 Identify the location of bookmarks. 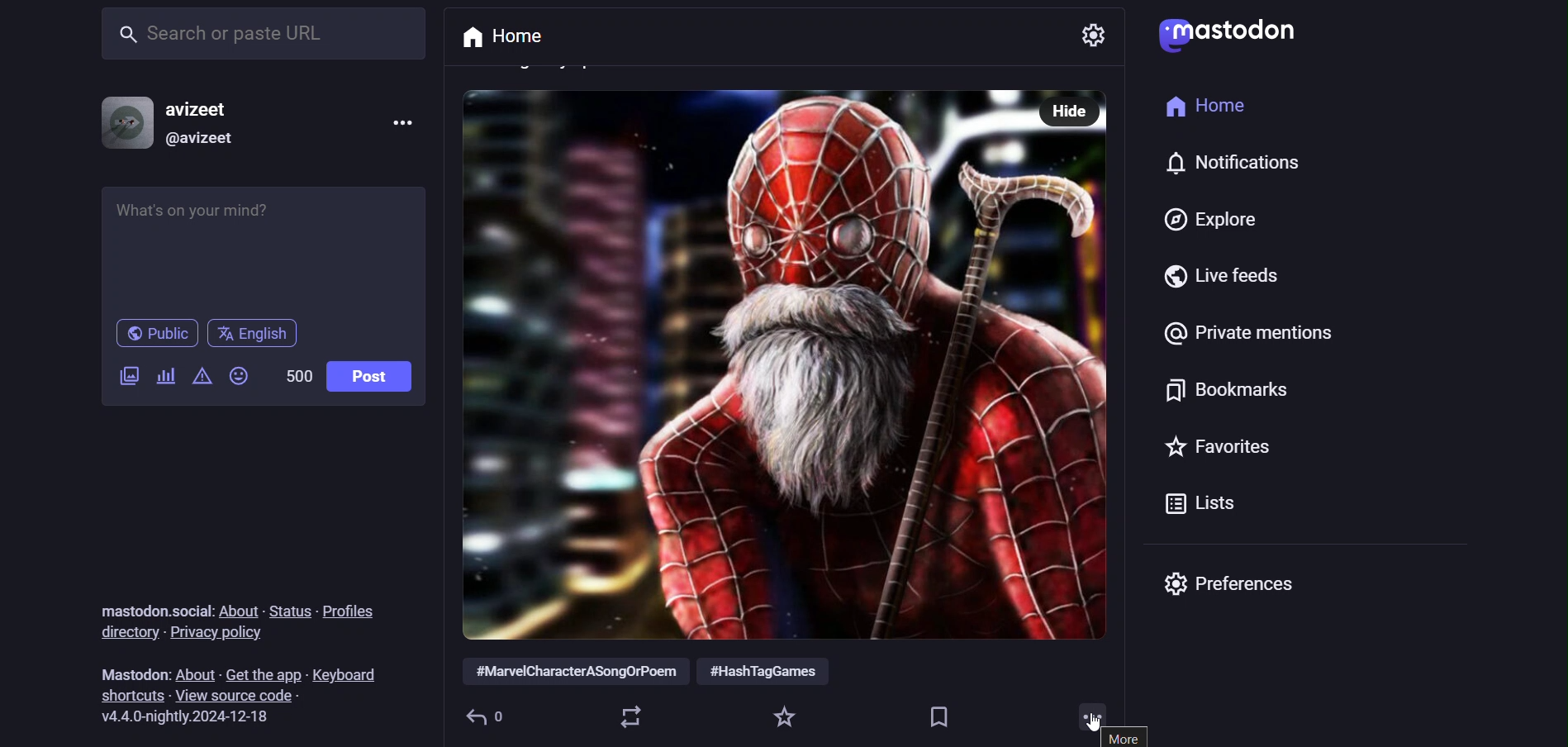
(1230, 396).